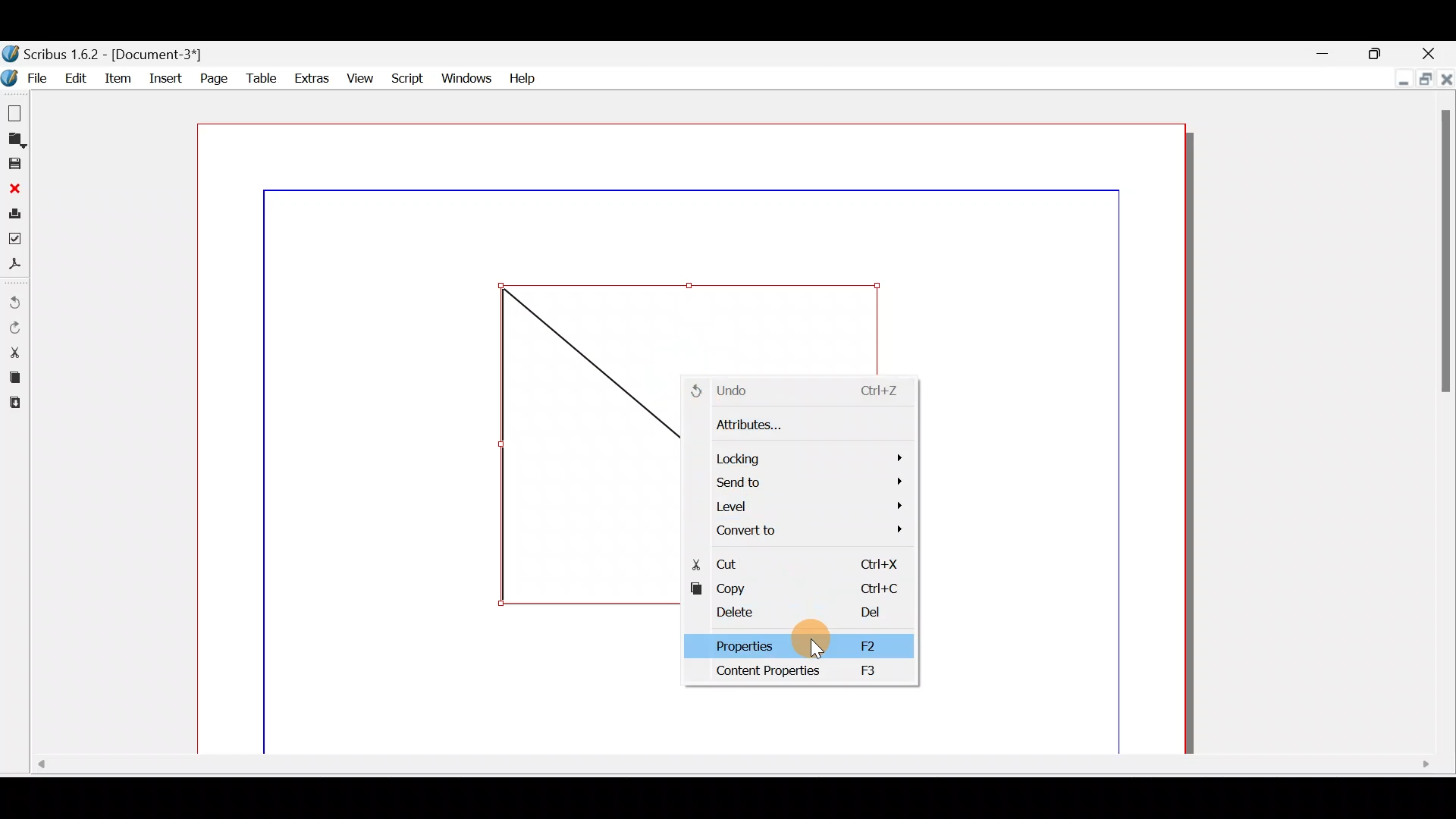 The image size is (1456, 819). What do you see at coordinates (213, 79) in the screenshot?
I see `Page` at bounding box center [213, 79].